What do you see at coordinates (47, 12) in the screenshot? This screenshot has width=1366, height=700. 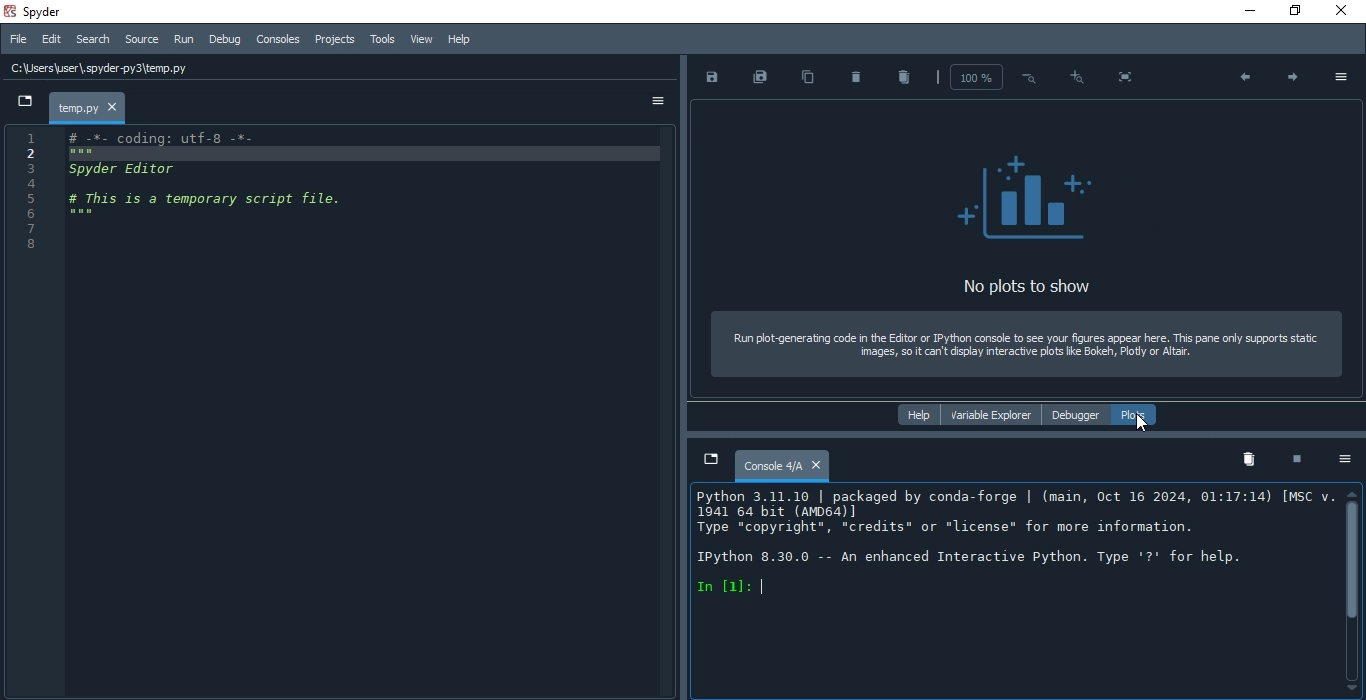 I see `Spyder` at bounding box center [47, 12].